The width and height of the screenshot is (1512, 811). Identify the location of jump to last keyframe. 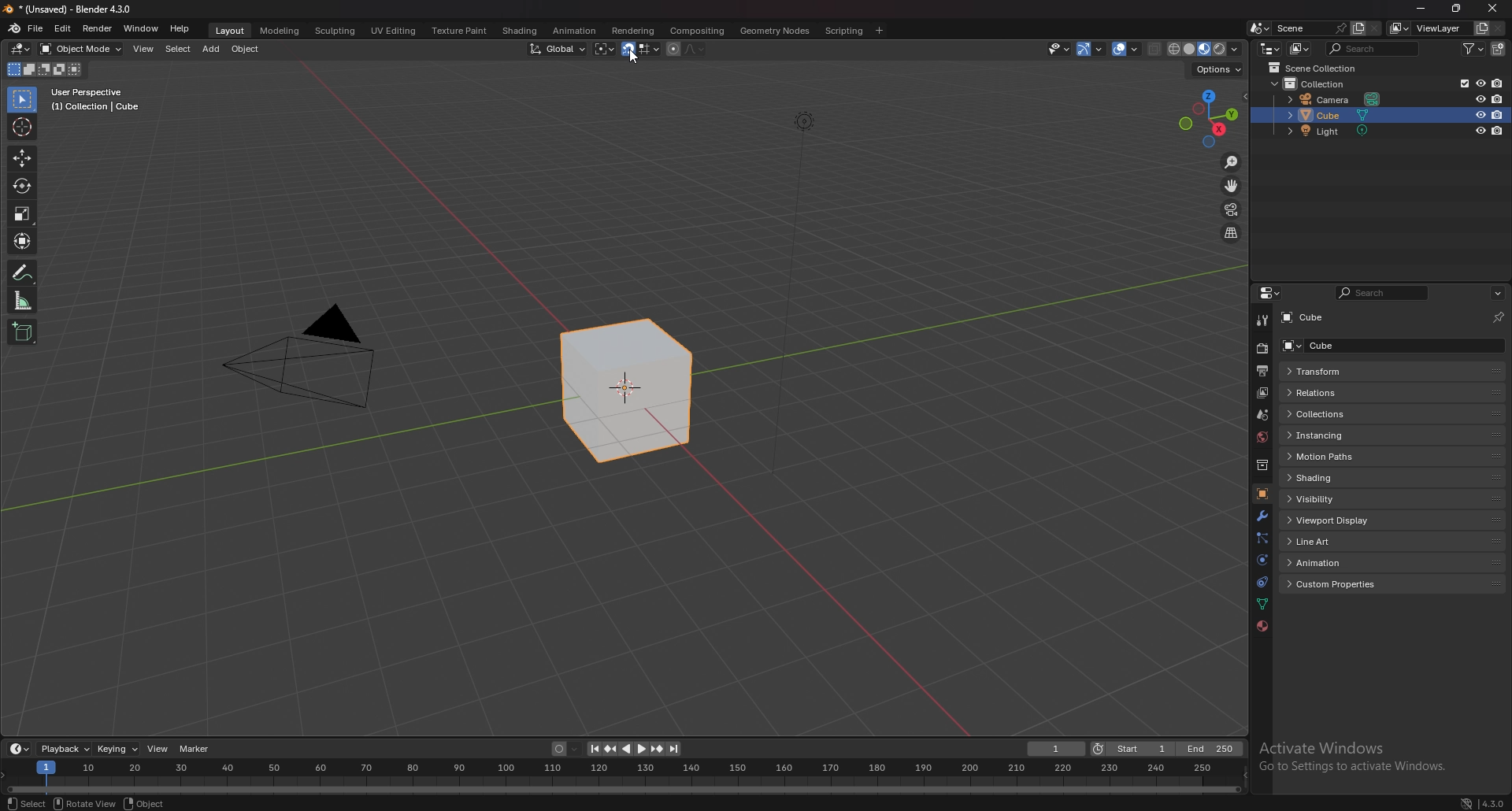
(656, 749).